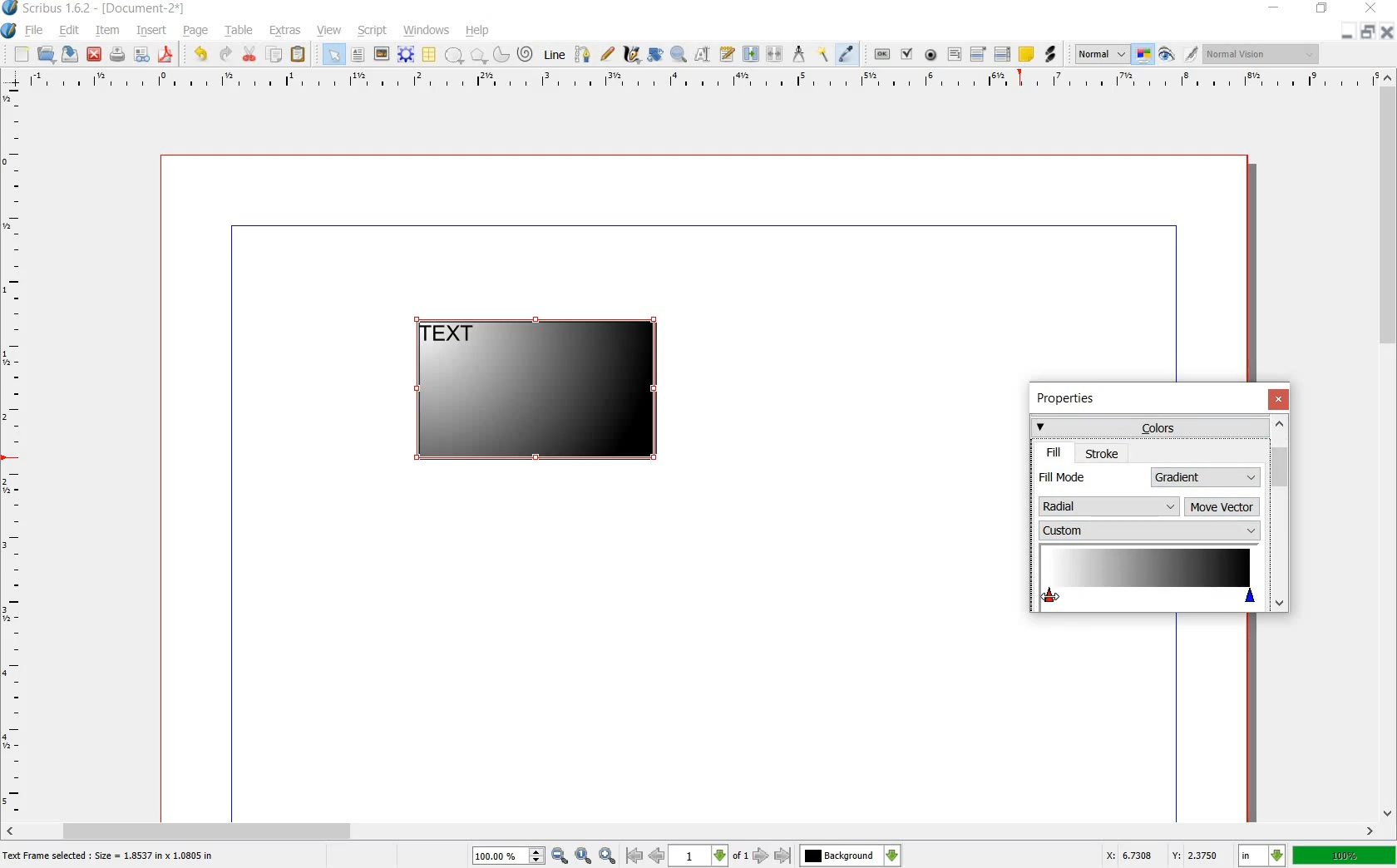 The image size is (1397, 868). I want to click on gradient, so click(1207, 477).